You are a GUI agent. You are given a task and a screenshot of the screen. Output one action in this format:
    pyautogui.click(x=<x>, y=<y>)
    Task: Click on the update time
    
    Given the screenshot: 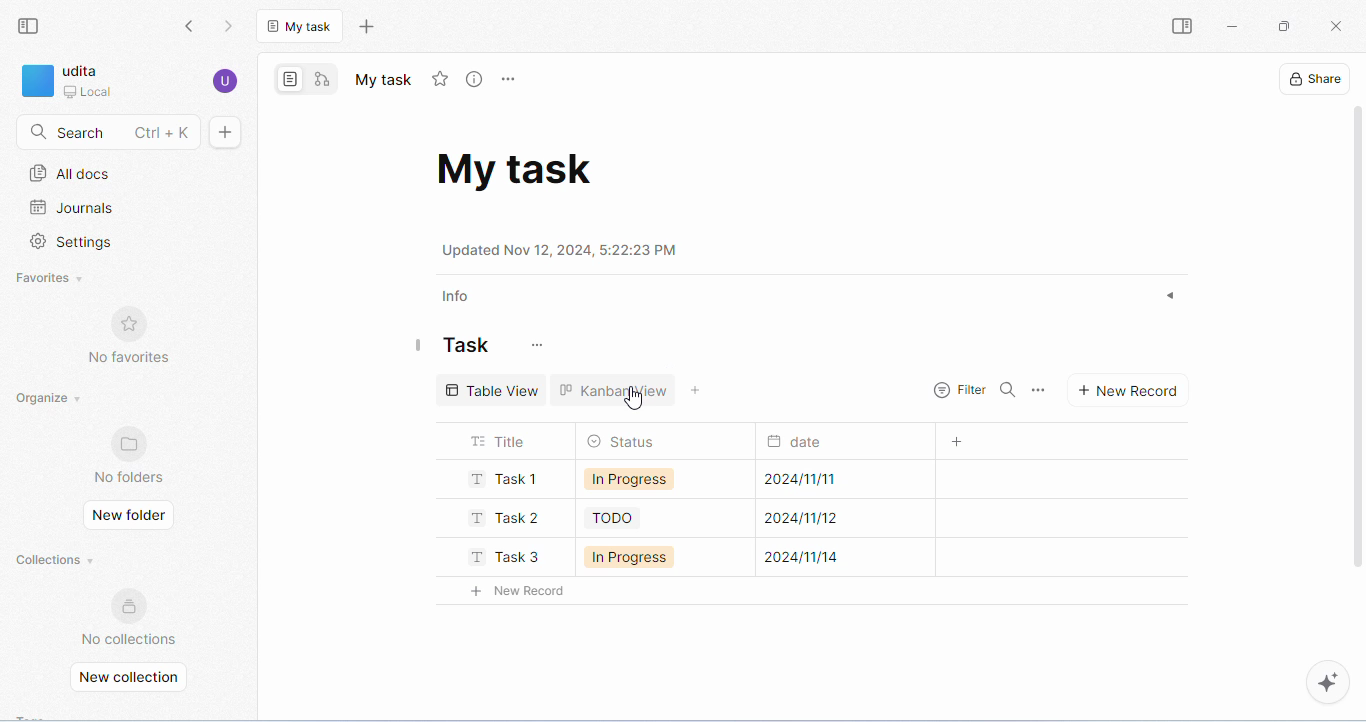 What is the action you would take?
    pyautogui.click(x=566, y=251)
    